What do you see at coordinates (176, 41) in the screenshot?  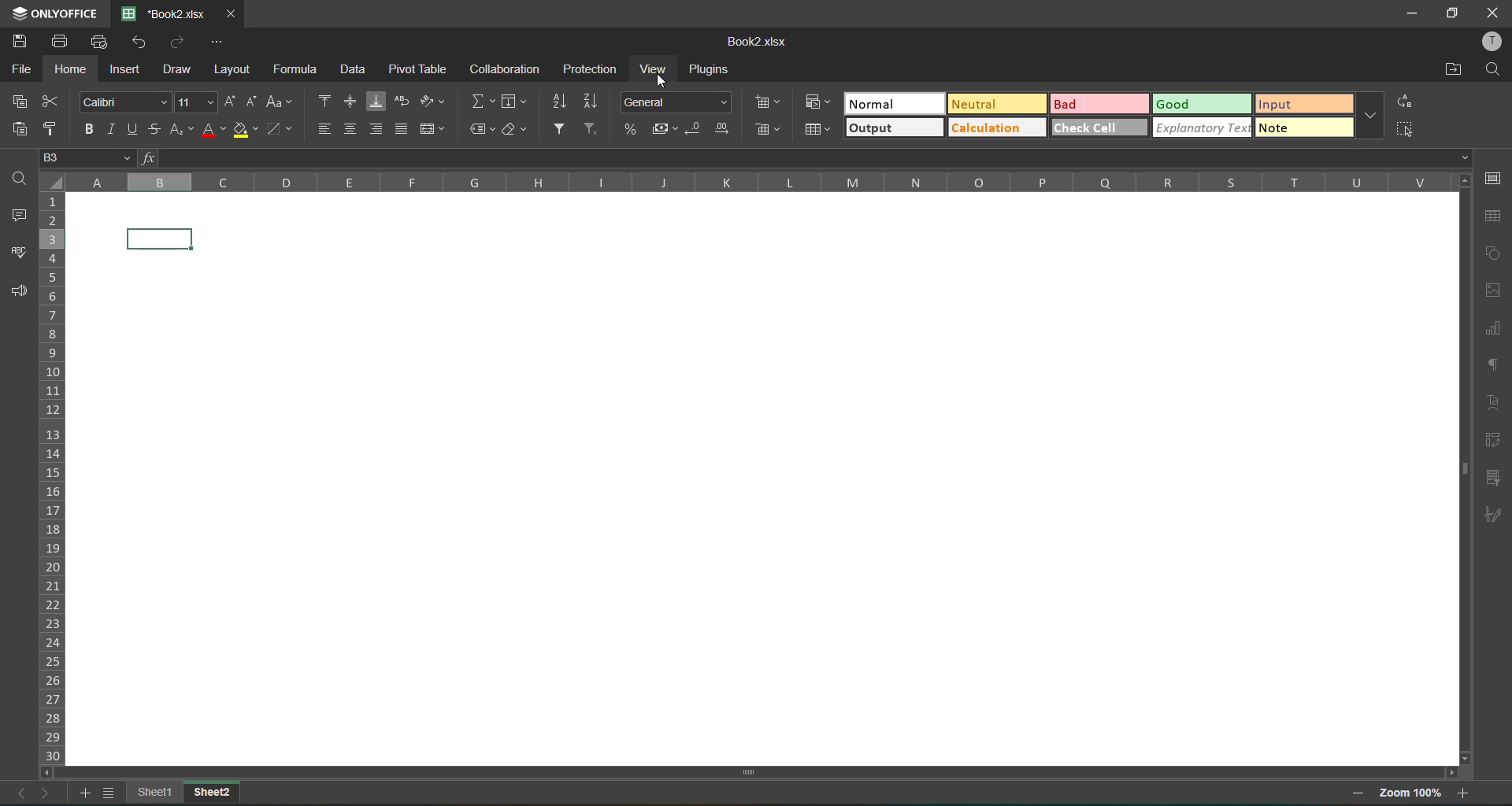 I see `redo` at bounding box center [176, 41].